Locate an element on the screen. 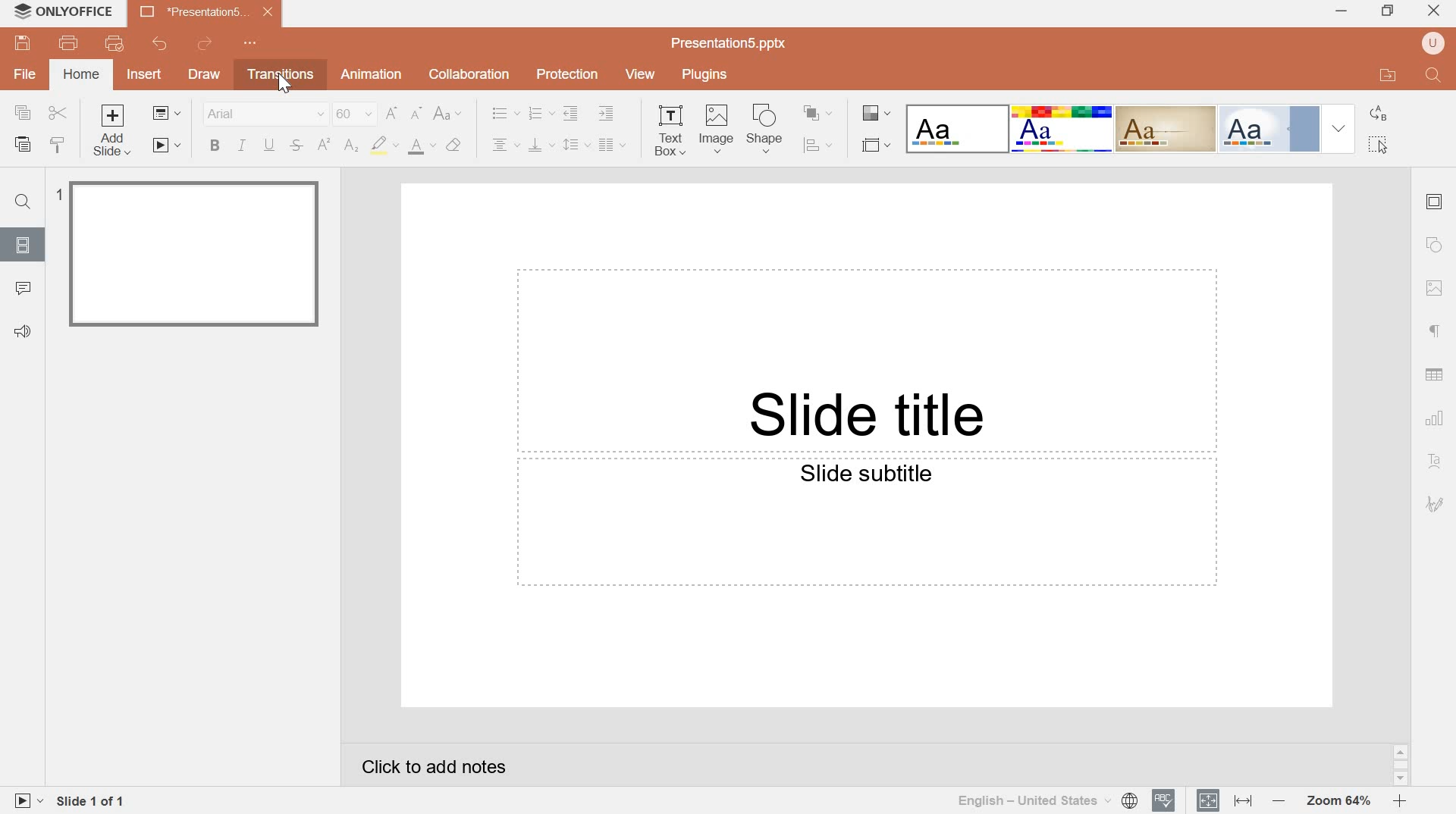 The image size is (1456, 814). find is located at coordinates (22, 202).